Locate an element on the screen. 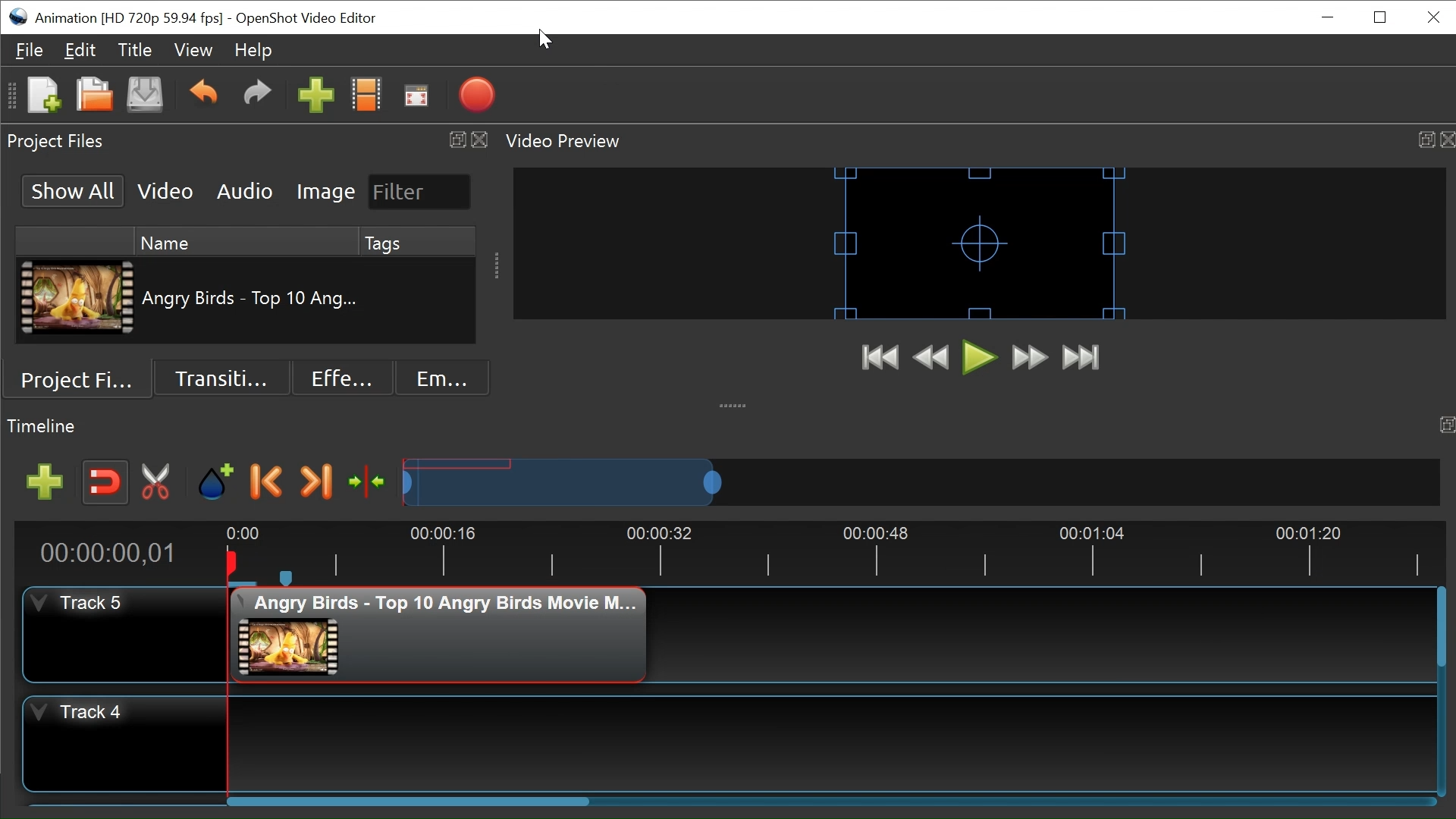 This screenshot has height=819, width=1456. Effects is located at coordinates (340, 378).